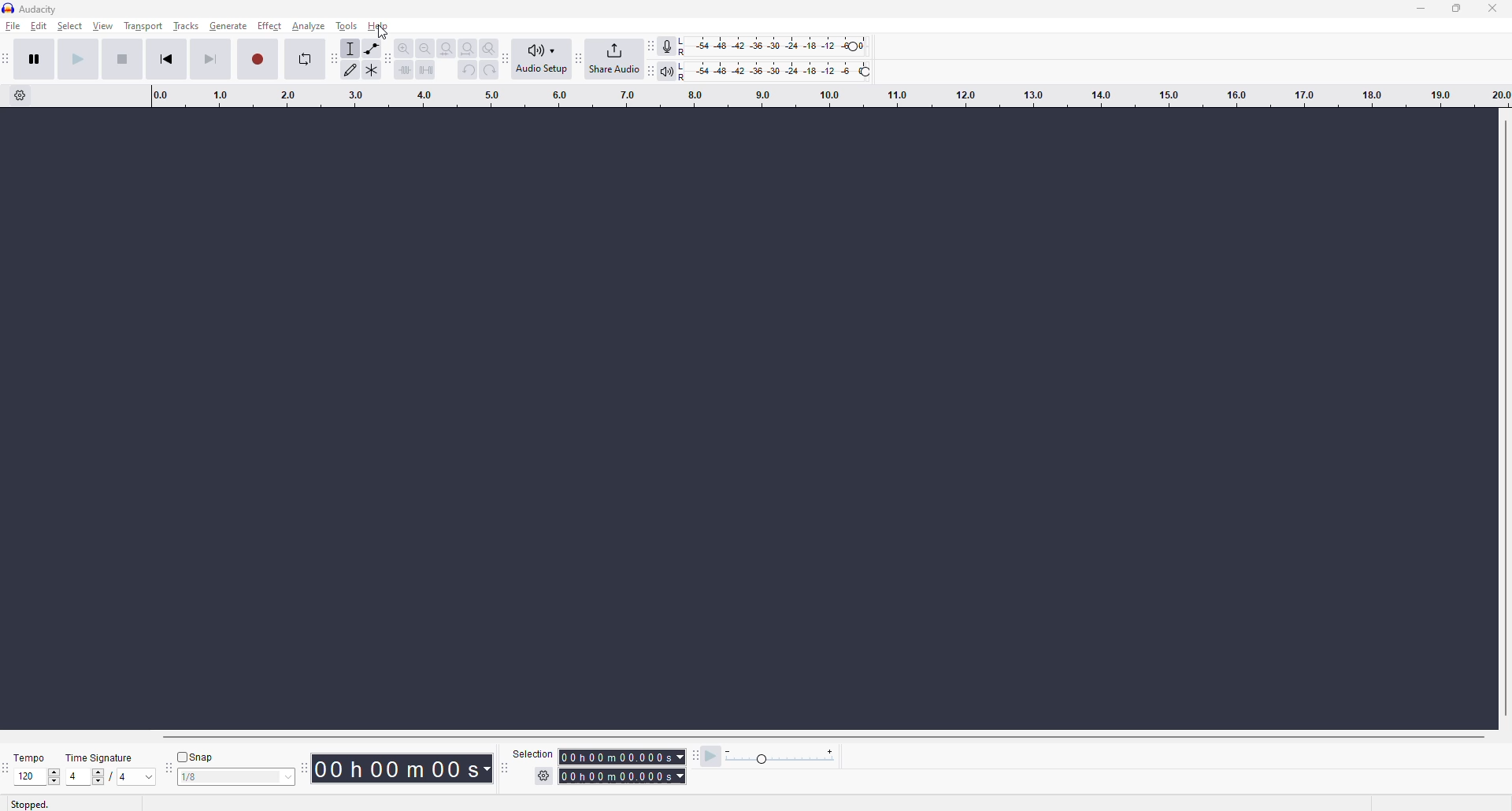 The height and width of the screenshot is (811, 1512). Describe the element at coordinates (780, 755) in the screenshot. I see `playback speed` at that location.